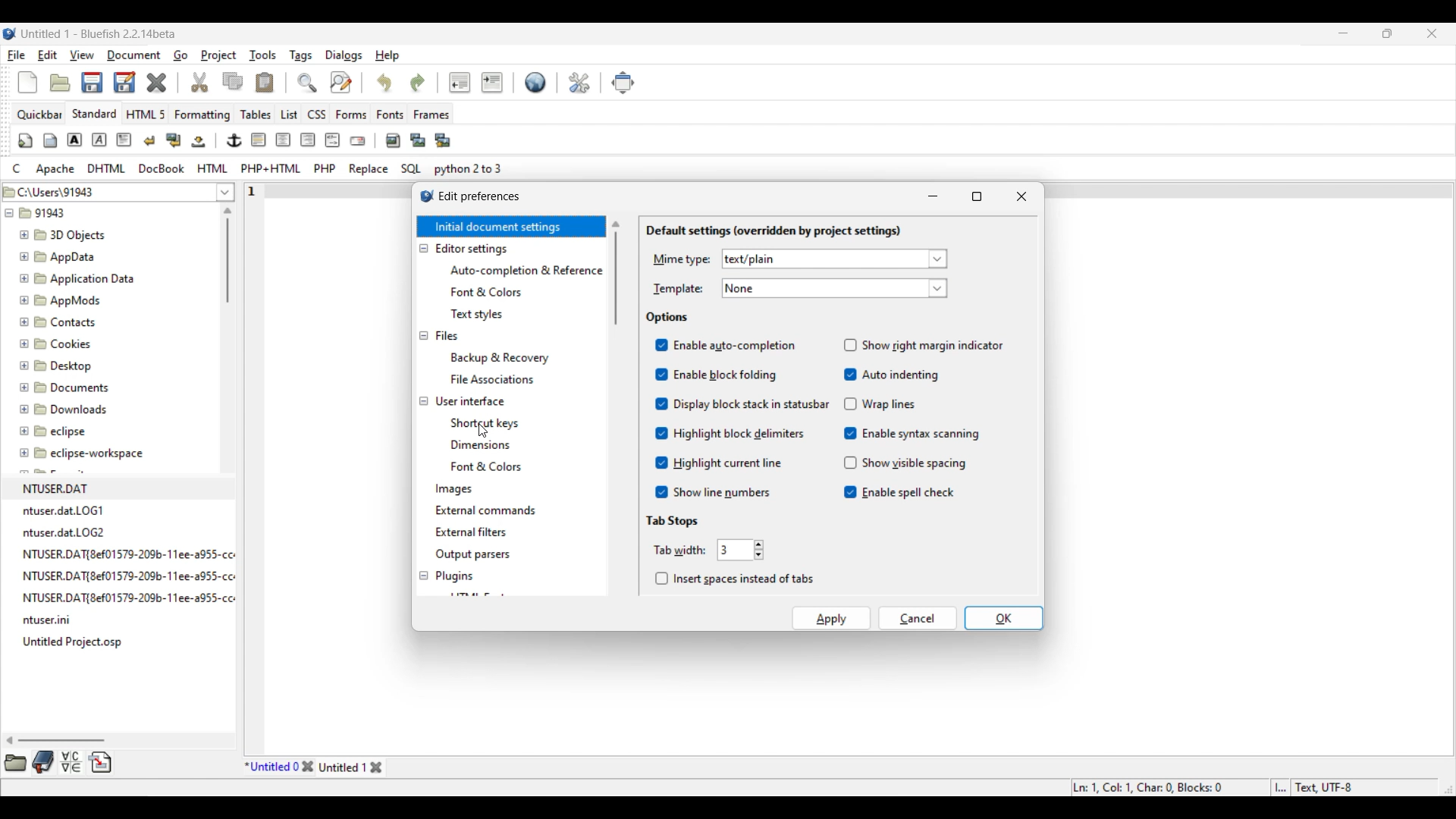 The image size is (1456, 819). Describe the element at coordinates (719, 462) in the screenshot. I see `Highlight current line` at that location.